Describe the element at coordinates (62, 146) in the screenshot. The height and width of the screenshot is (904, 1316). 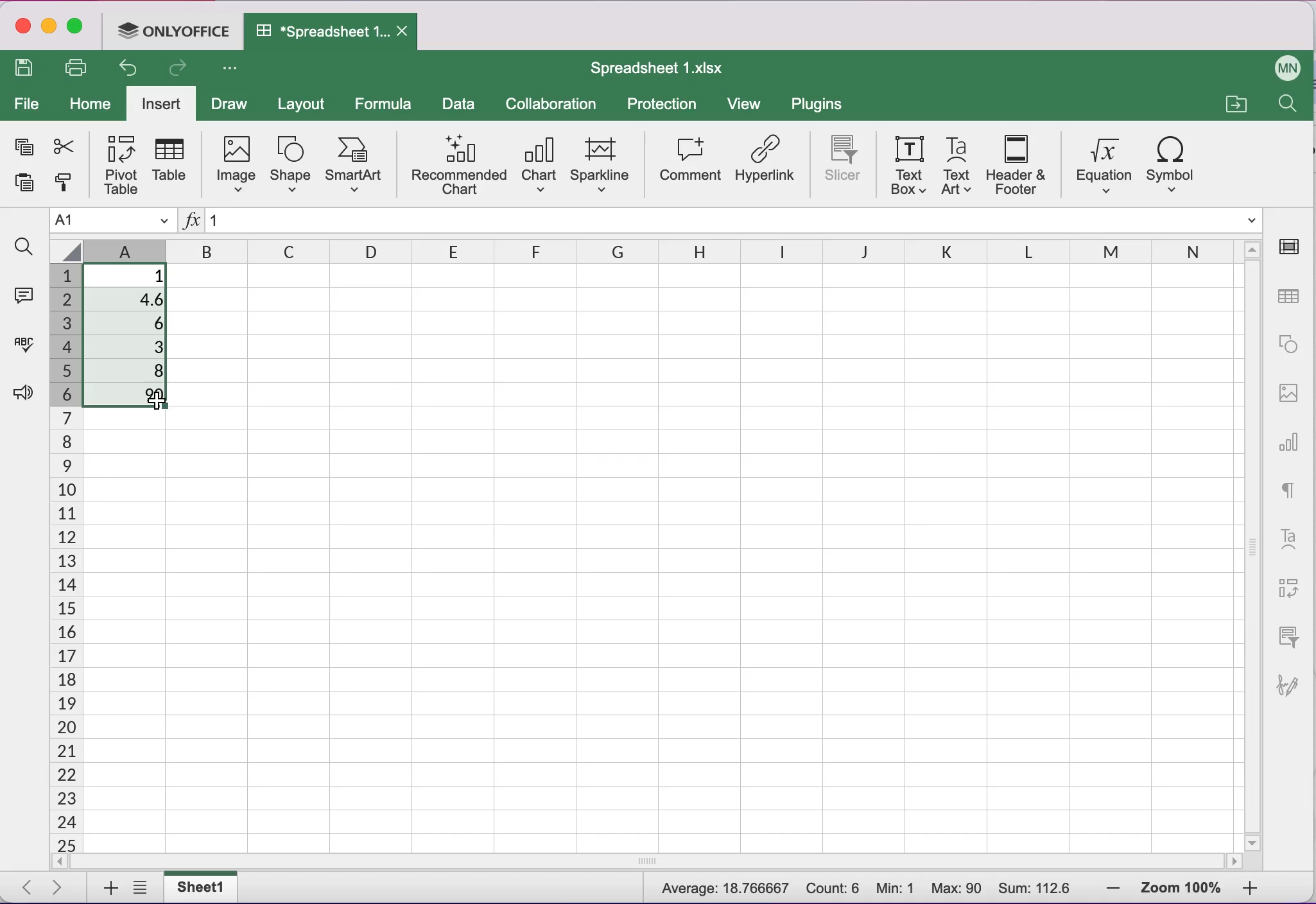
I see `cut` at that location.